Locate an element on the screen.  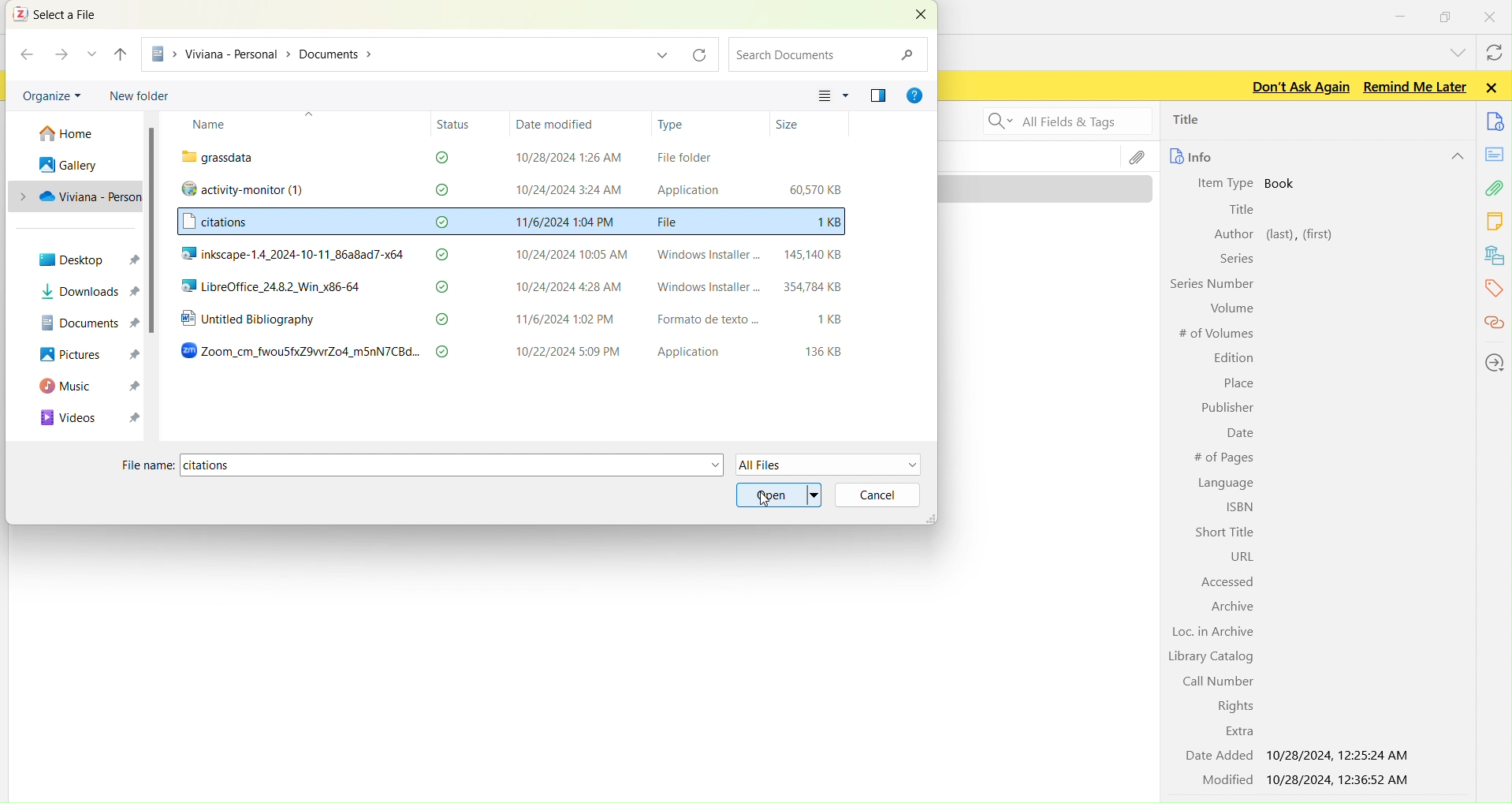
 Zoom_cm_fwouSfxZ9vwrZo4_m5nN7CBd... is located at coordinates (303, 351).